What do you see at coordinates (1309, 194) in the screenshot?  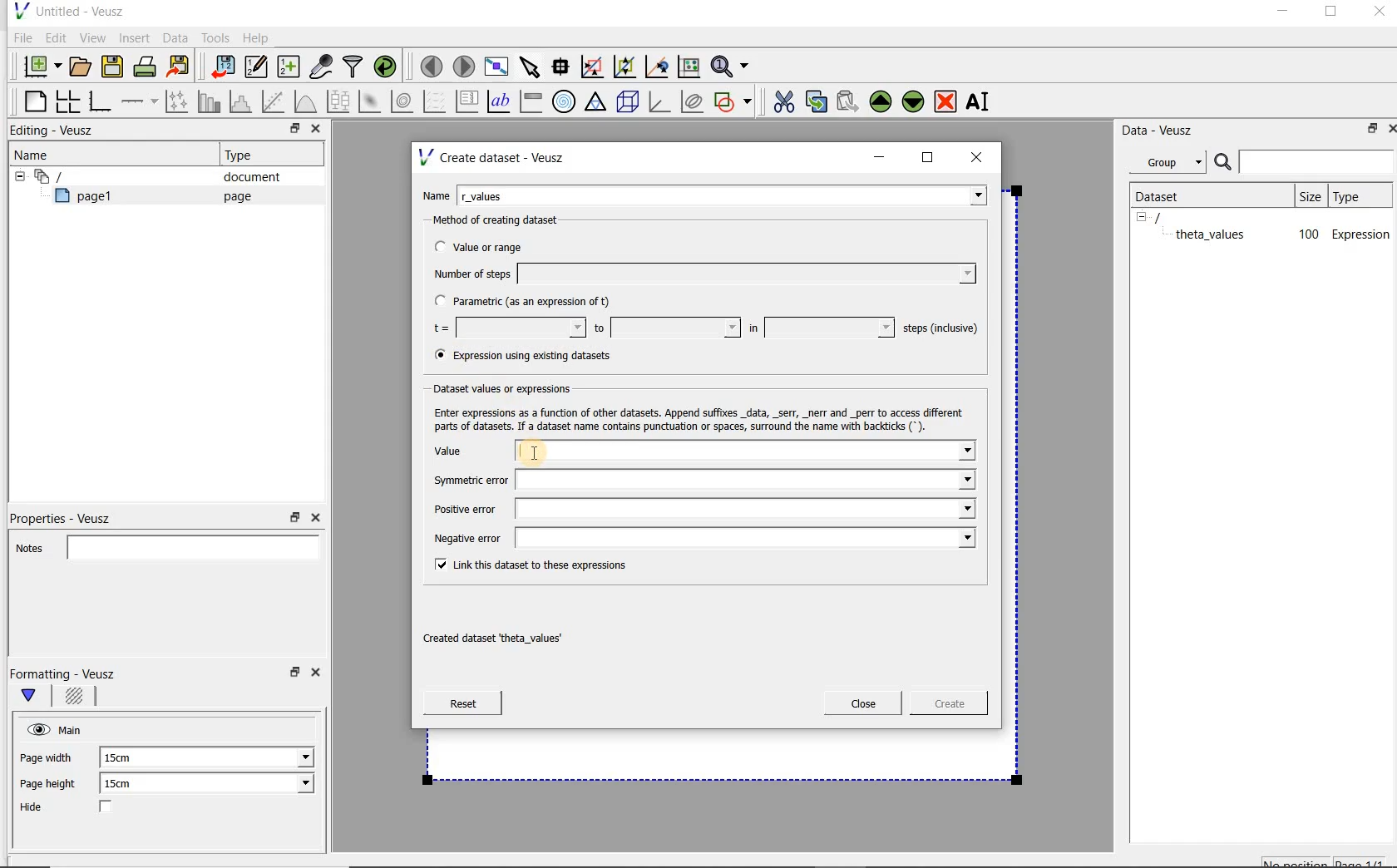 I see `size` at bounding box center [1309, 194].